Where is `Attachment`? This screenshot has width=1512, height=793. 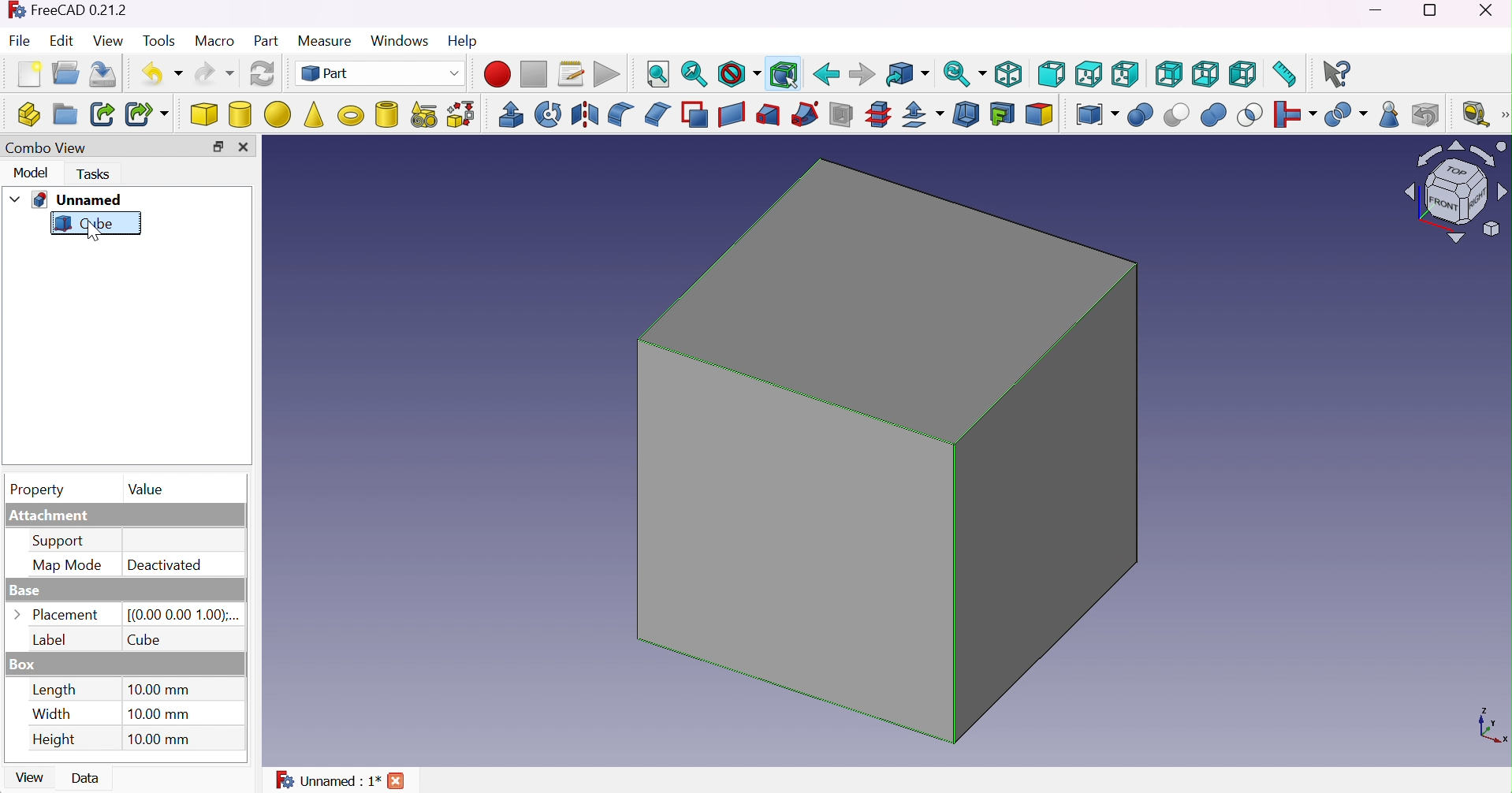
Attachment is located at coordinates (51, 517).